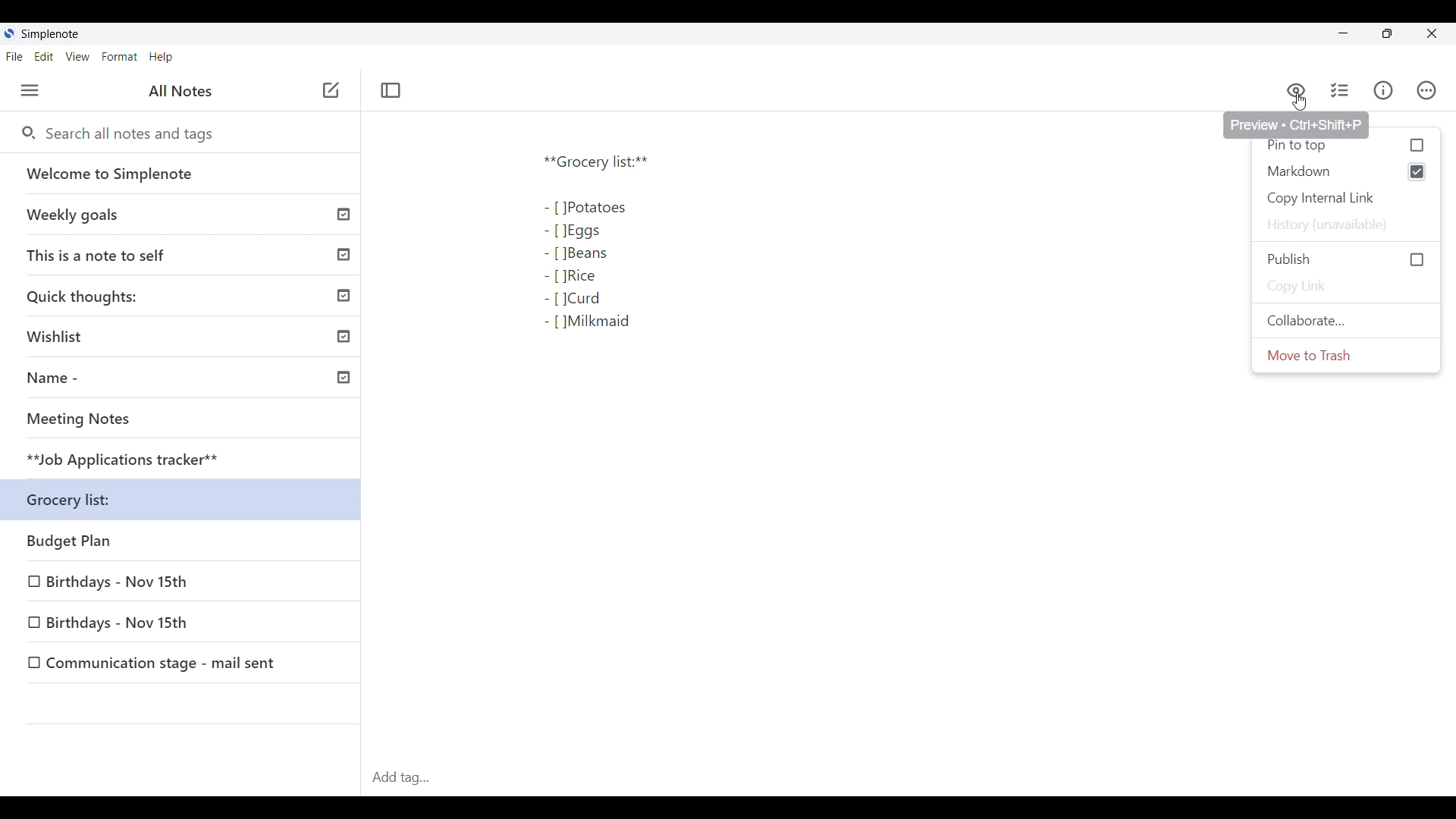 The height and width of the screenshot is (819, 1456). Describe the element at coordinates (1347, 199) in the screenshot. I see `Copy internal link` at that location.